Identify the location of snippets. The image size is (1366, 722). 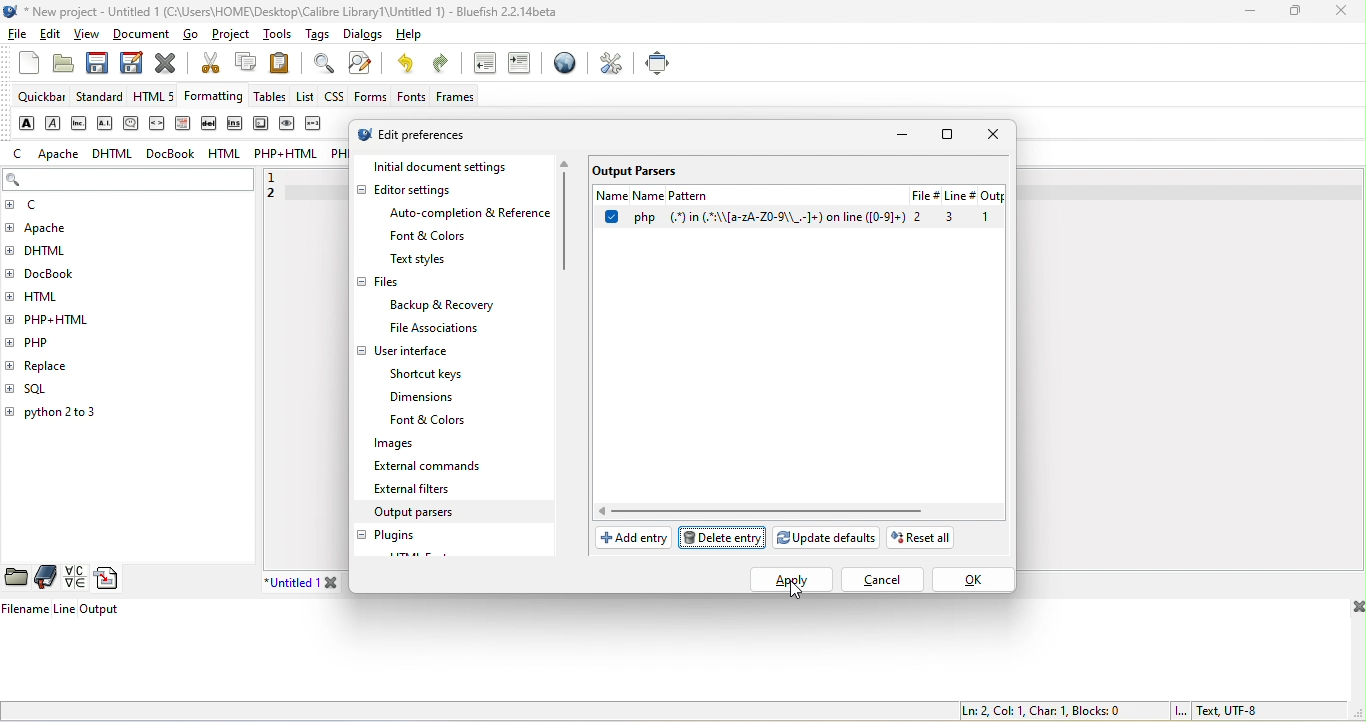
(111, 579).